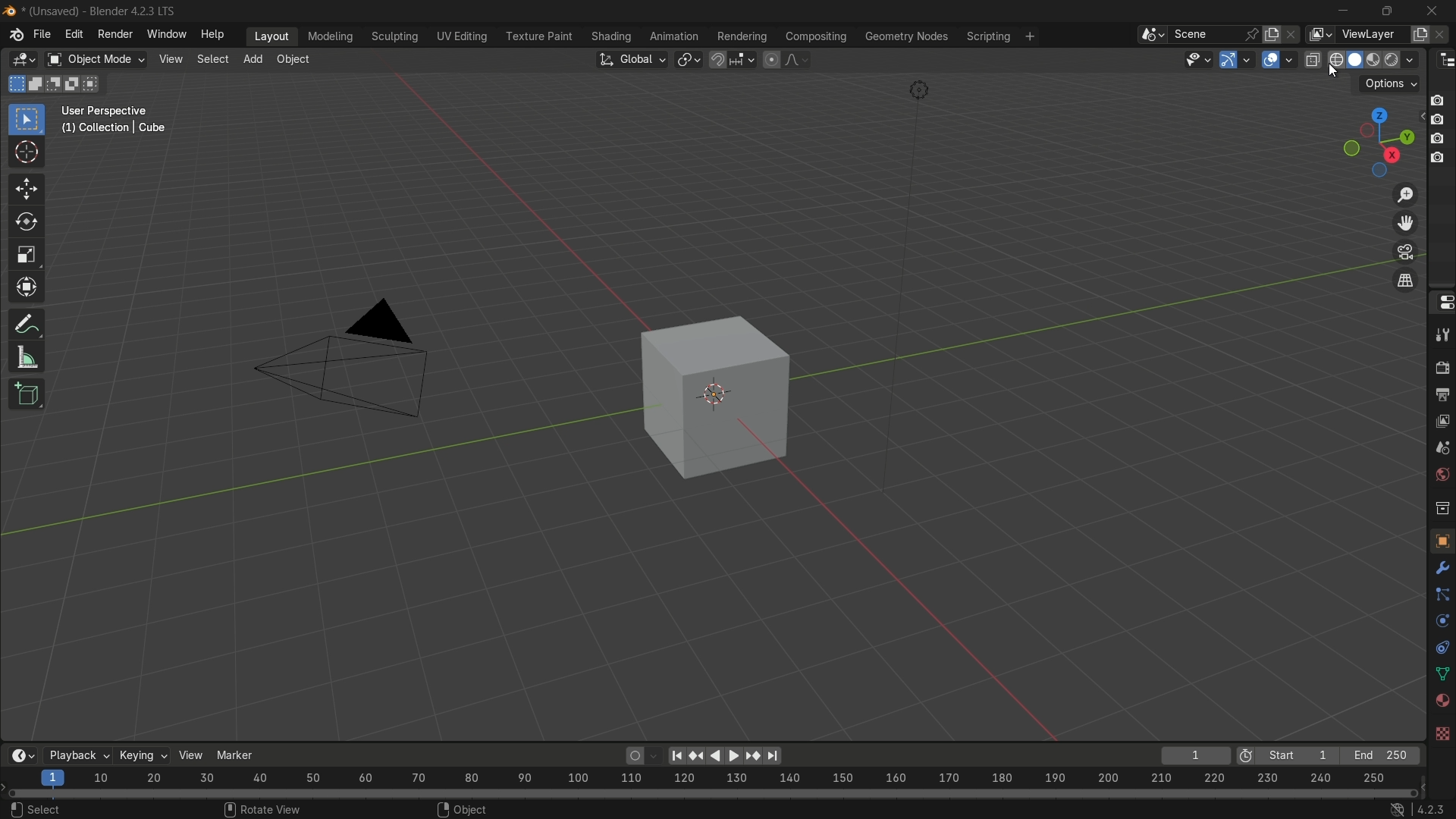 The width and height of the screenshot is (1456, 819). Describe the element at coordinates (1442, 304) in the screenshot. I see `properties` at that location.